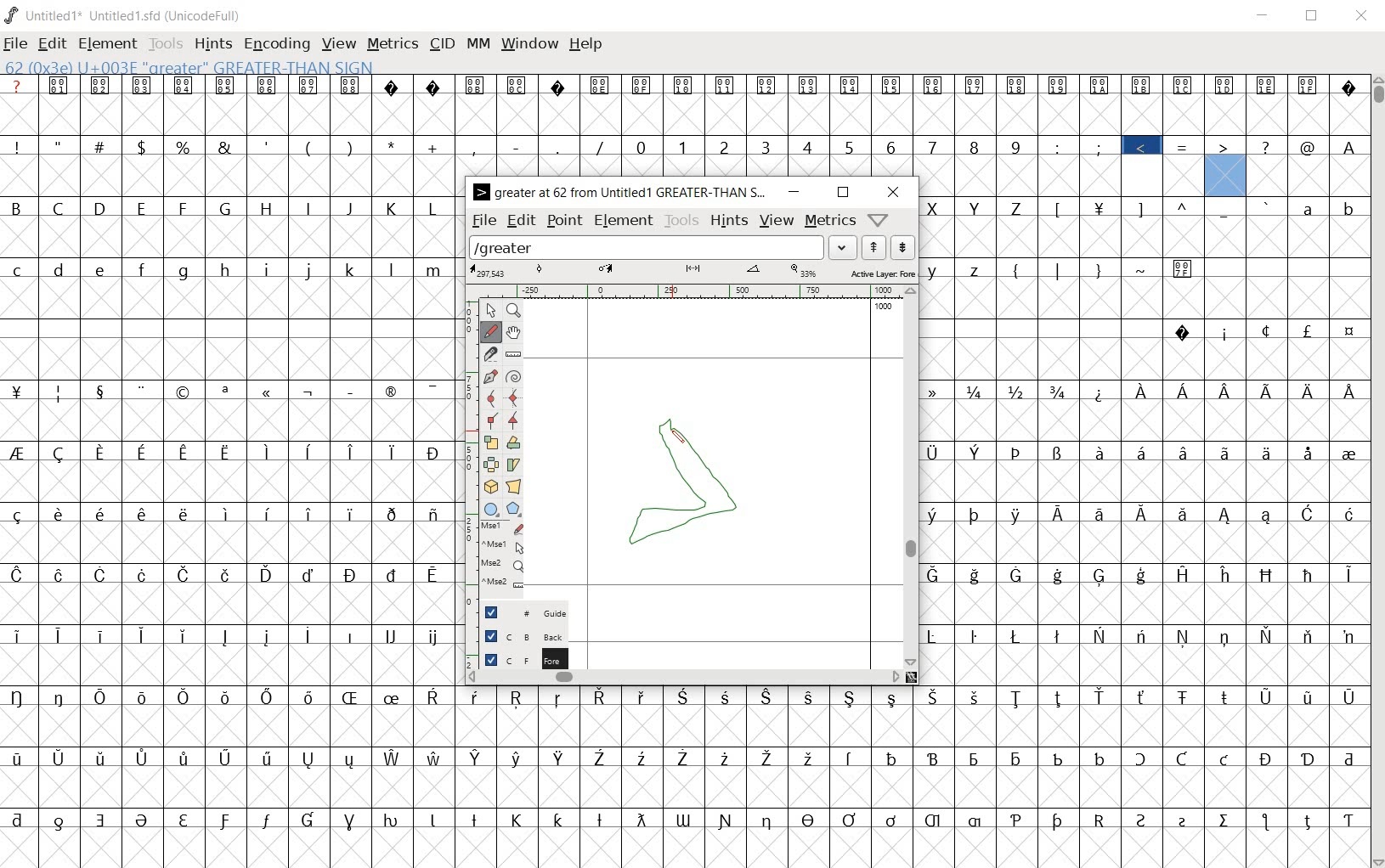 The height and width of the screenshot is (868, 1385). Describe the element at coordinates (478, 45) in the screenshot. I see `mm` at that location.